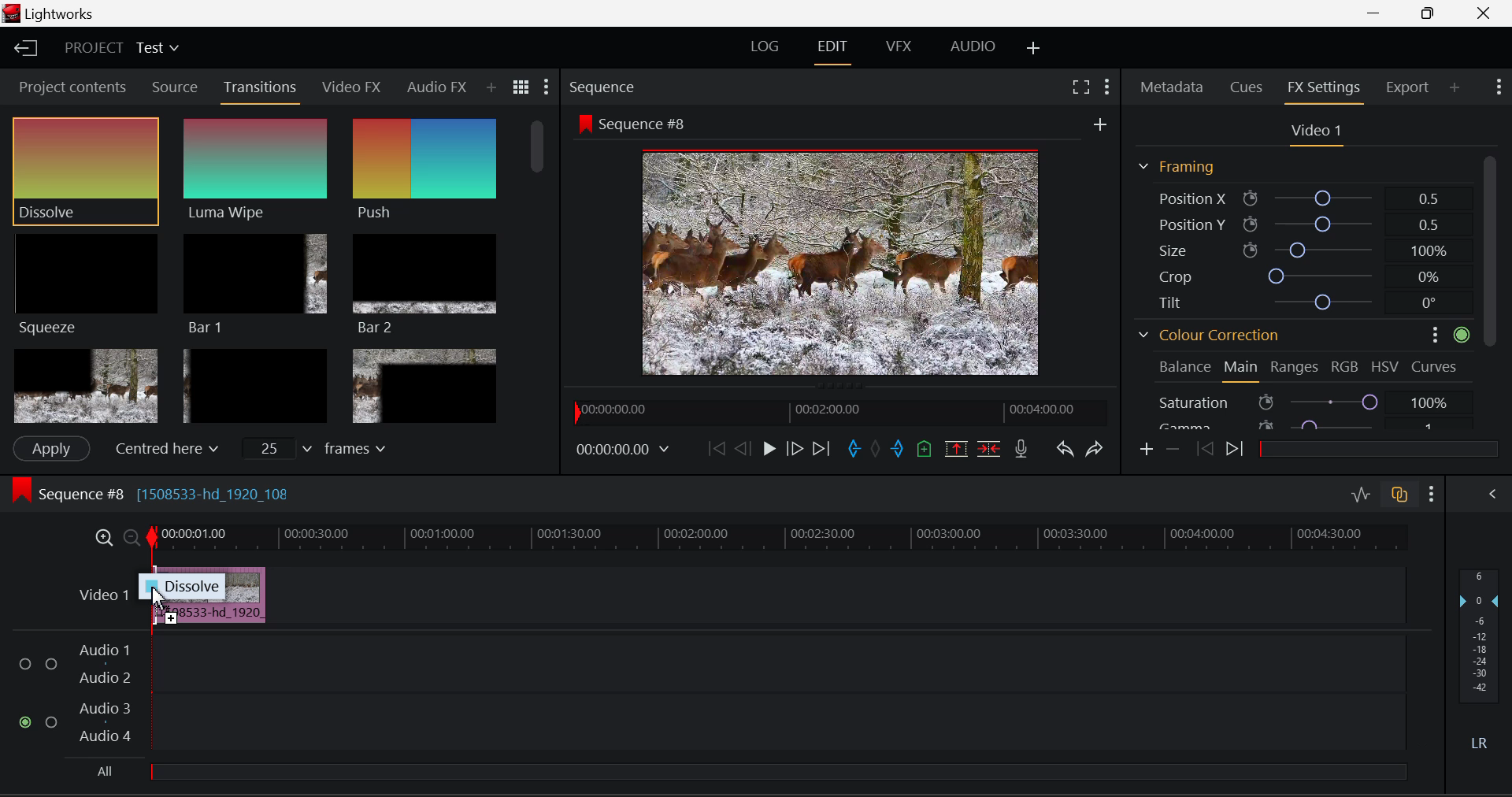  What do you see at coordinates (1172, 88) in the screenshot?
I see `Metadata` at bounding box center [1172, 88].